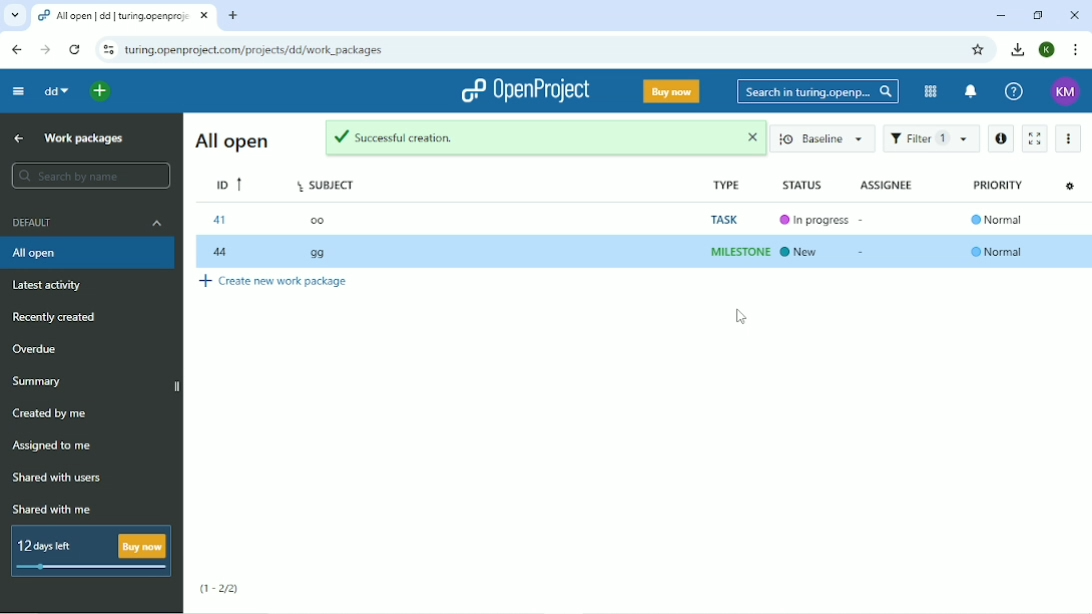  Describe the element at coordinates (37, 381) in the screenshot. I see `Summary` at that location.